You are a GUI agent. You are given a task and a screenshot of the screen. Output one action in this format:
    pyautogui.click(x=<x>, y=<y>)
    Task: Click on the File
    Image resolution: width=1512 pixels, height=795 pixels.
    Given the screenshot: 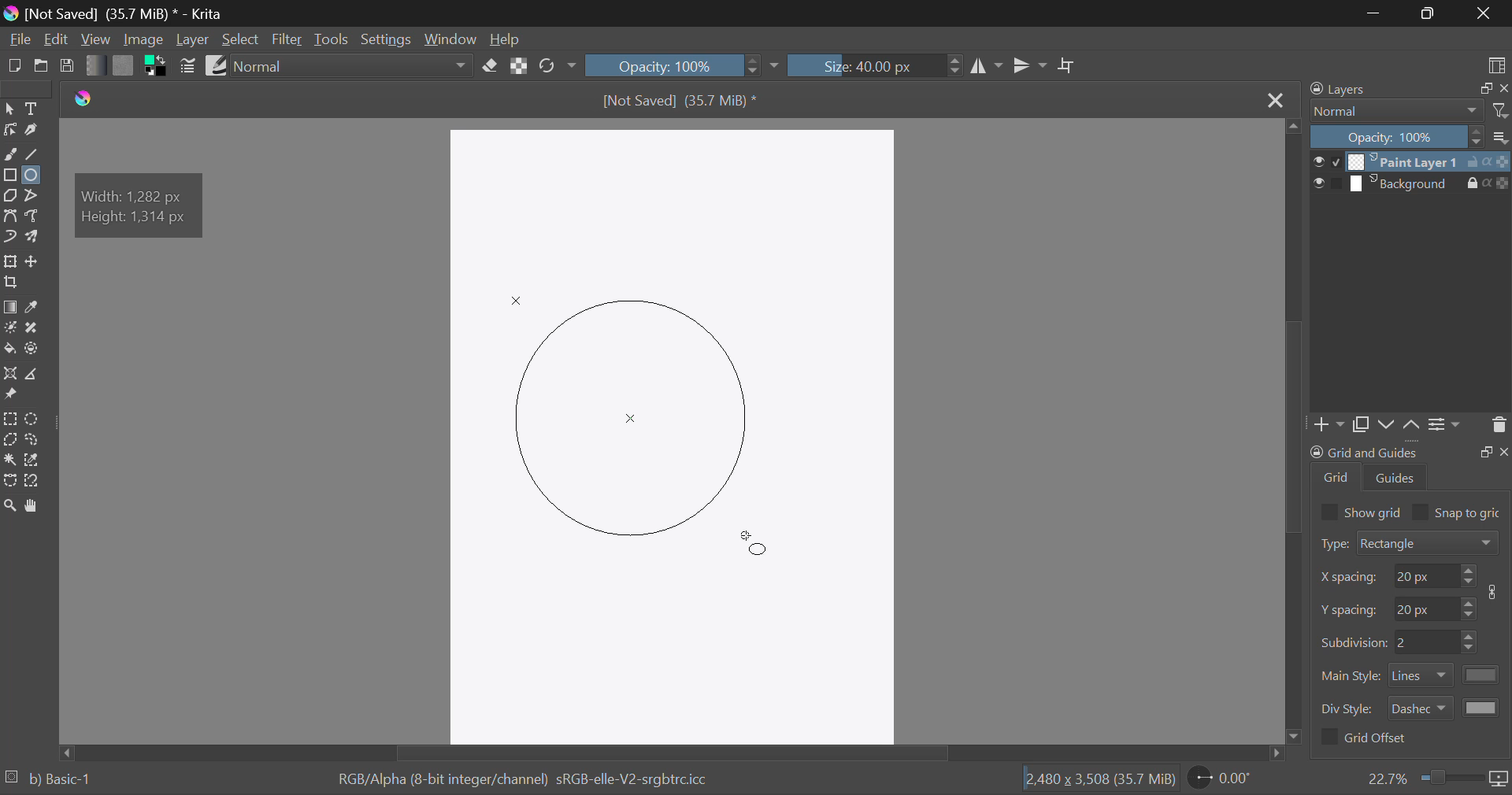 What is the action you would take?
    pyautogui.click(x=19, y=42)
    